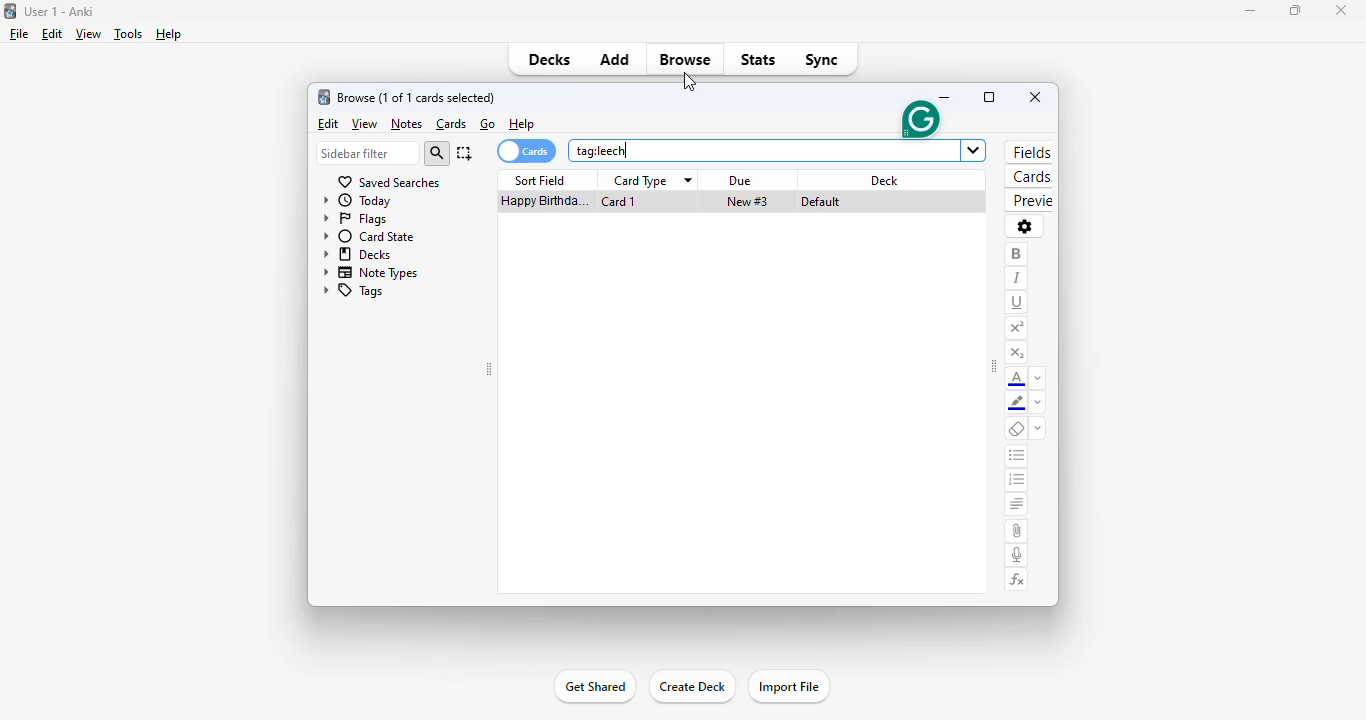  Describe the element at coordinates (1039, 427) in the screenshot. I see `select formatting to remove` at that location.